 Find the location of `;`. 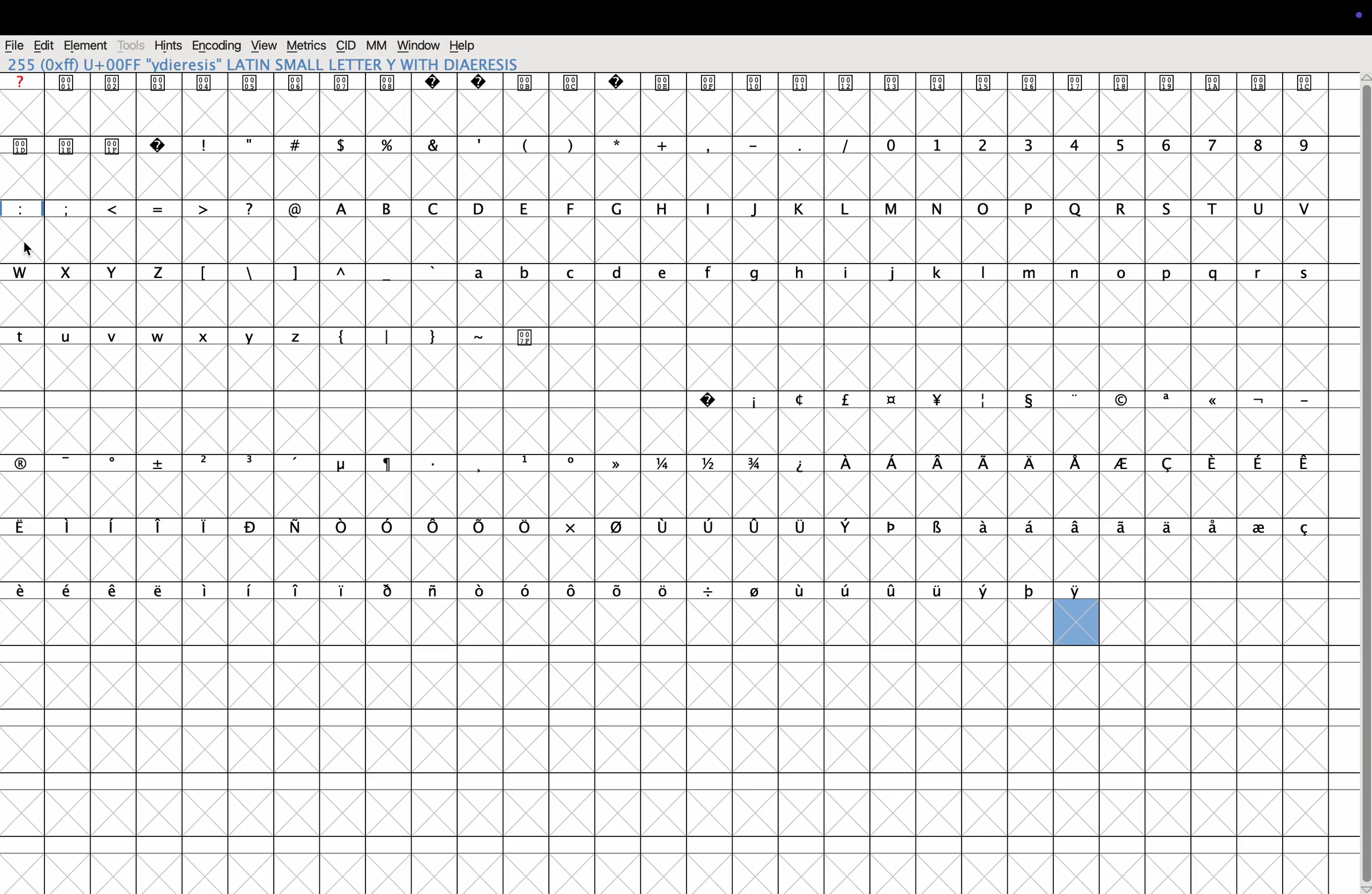

; is located at coordinates (69, 231).